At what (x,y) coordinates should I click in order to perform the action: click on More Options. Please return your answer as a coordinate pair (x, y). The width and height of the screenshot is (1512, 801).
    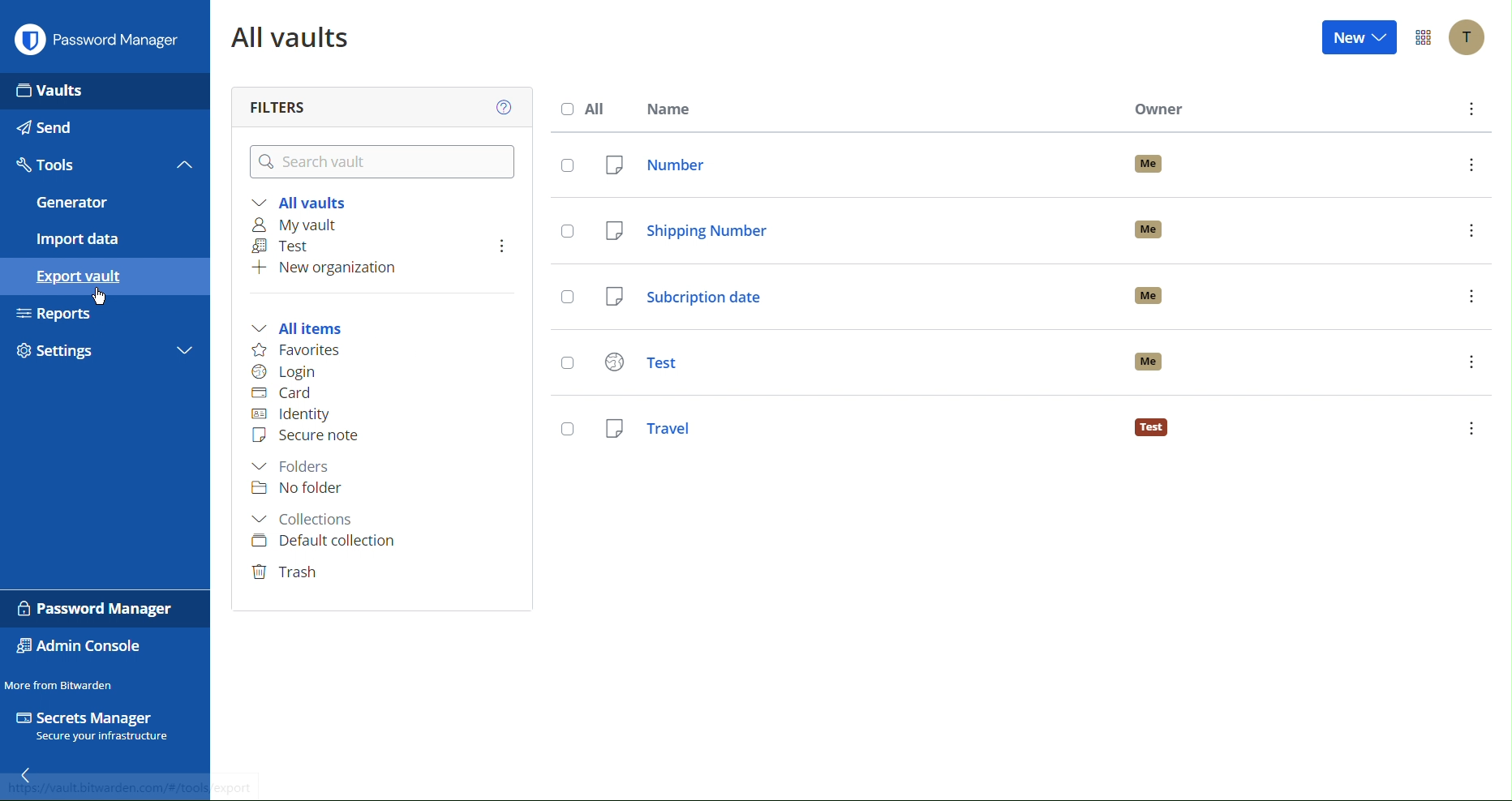
    Looking at the image, I should click on (1422, 38).